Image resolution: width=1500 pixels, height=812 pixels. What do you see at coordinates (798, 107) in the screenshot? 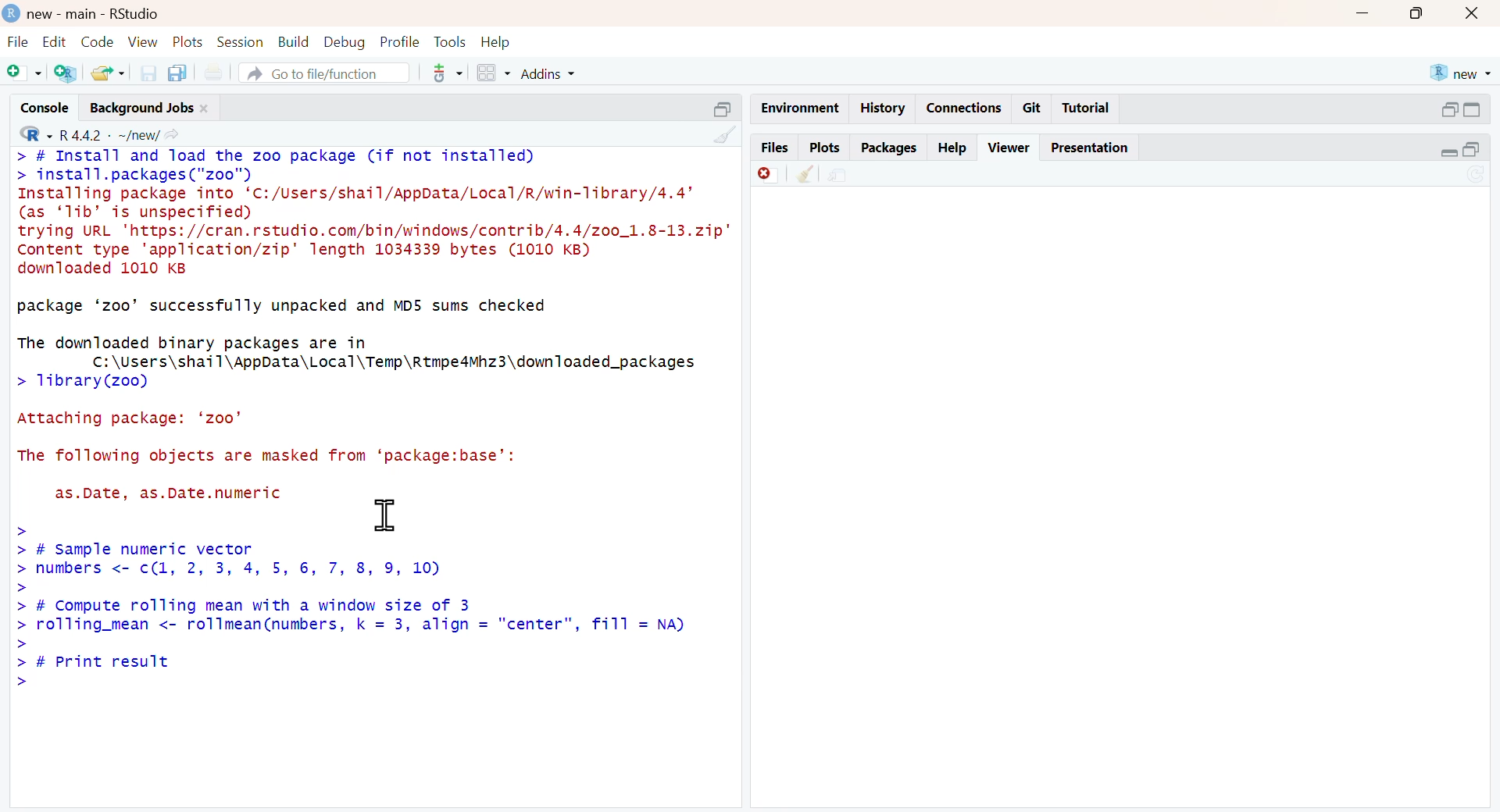
I see `enviornment` at bounding box center [798, 107].